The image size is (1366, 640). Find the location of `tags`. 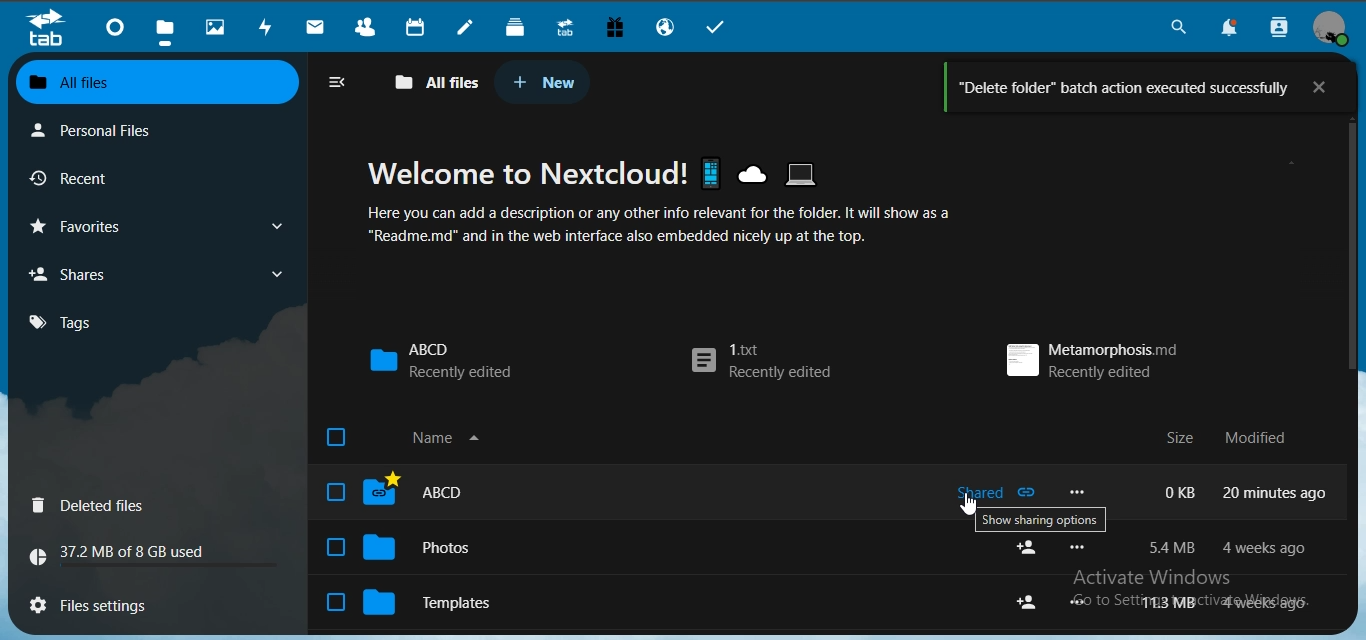

tags is located at coordinates (86, 322).